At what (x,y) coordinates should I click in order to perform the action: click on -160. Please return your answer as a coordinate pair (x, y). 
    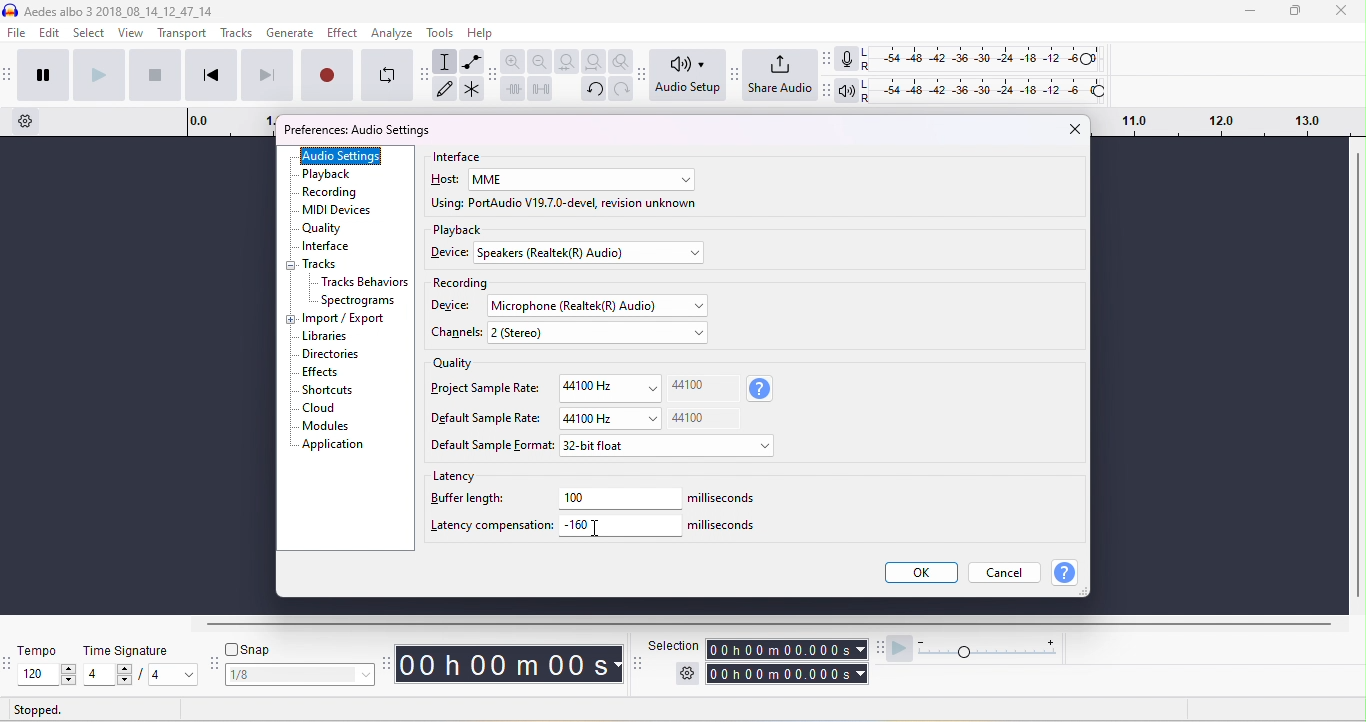
    Looking at the image, I should click on (575, 522).